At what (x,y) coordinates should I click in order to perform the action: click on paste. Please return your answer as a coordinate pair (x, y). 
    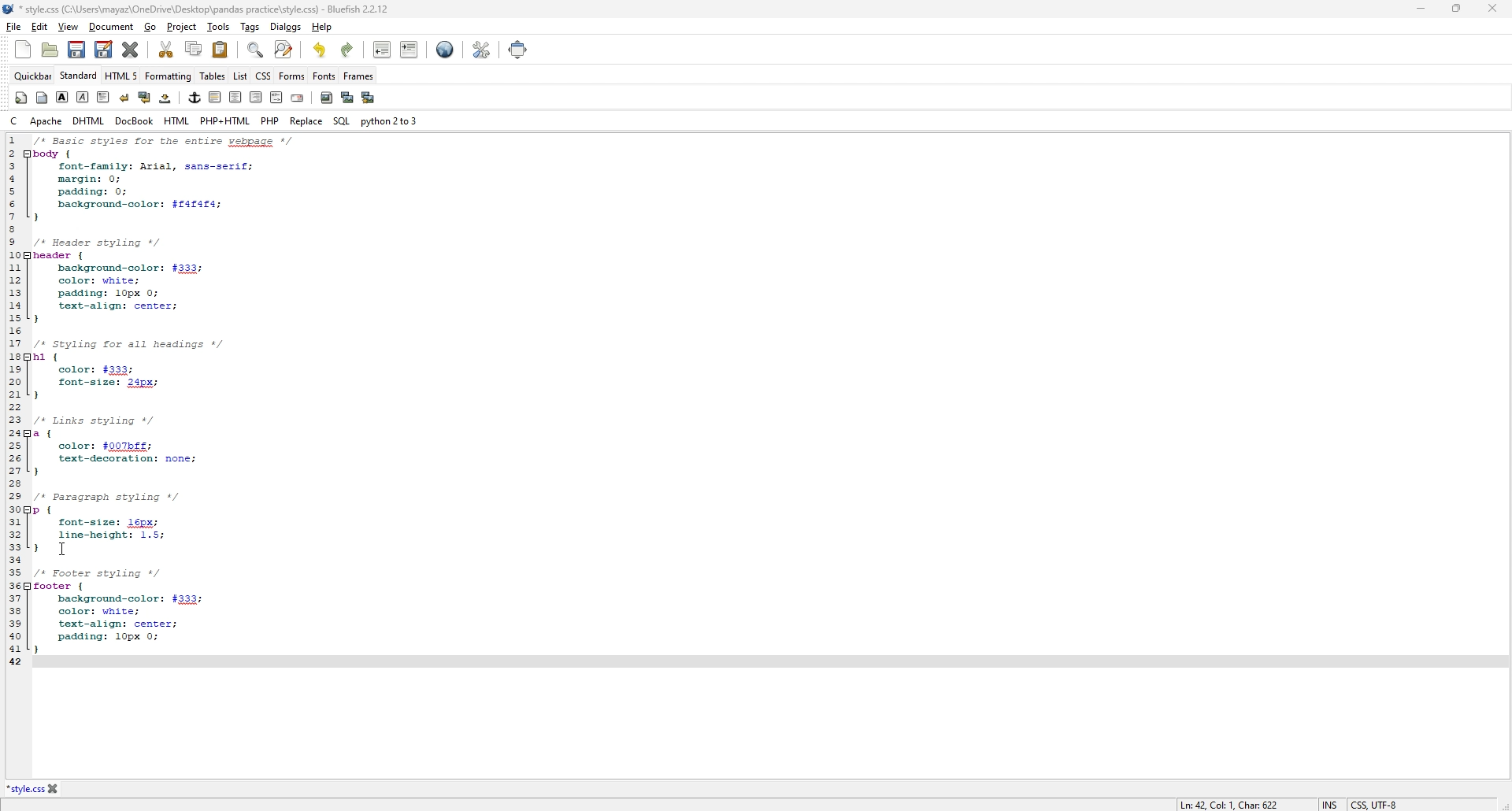
    Looking at the image, I should click on (221, 50).